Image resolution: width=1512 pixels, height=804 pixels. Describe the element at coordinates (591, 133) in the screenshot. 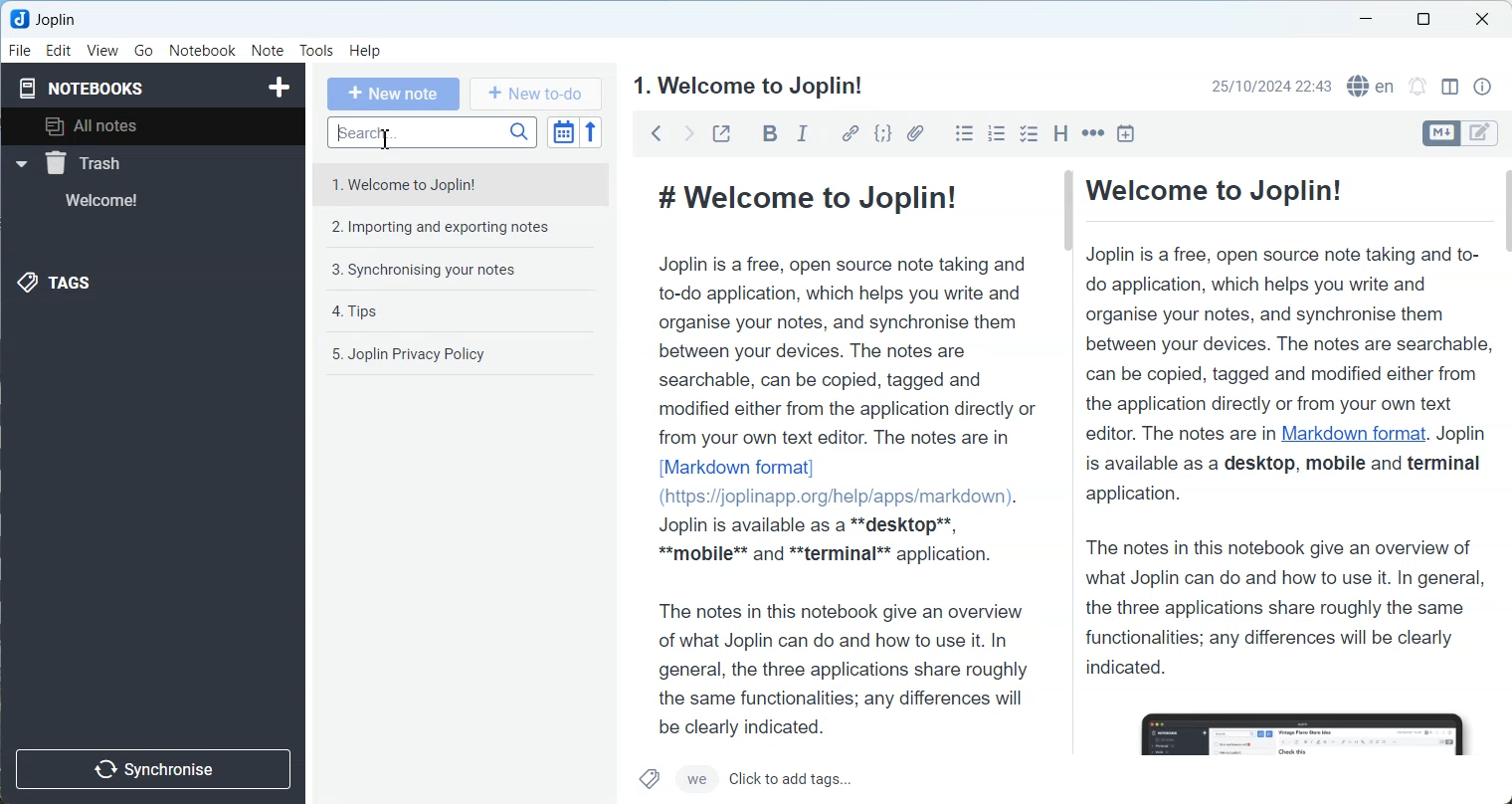

I see `Reserve sort order` at that location.